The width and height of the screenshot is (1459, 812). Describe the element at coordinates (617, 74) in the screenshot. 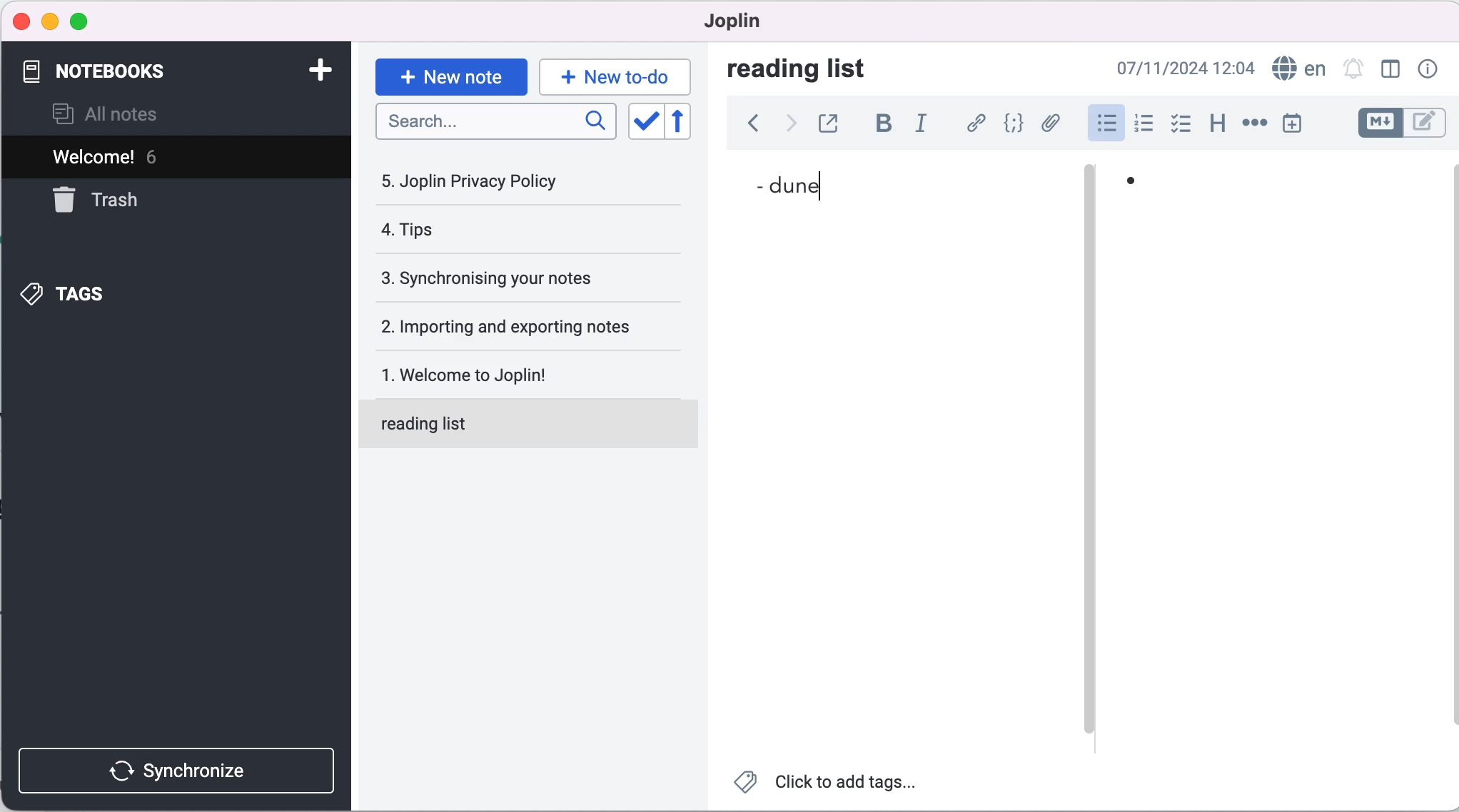

I see `new to-do` at that location.